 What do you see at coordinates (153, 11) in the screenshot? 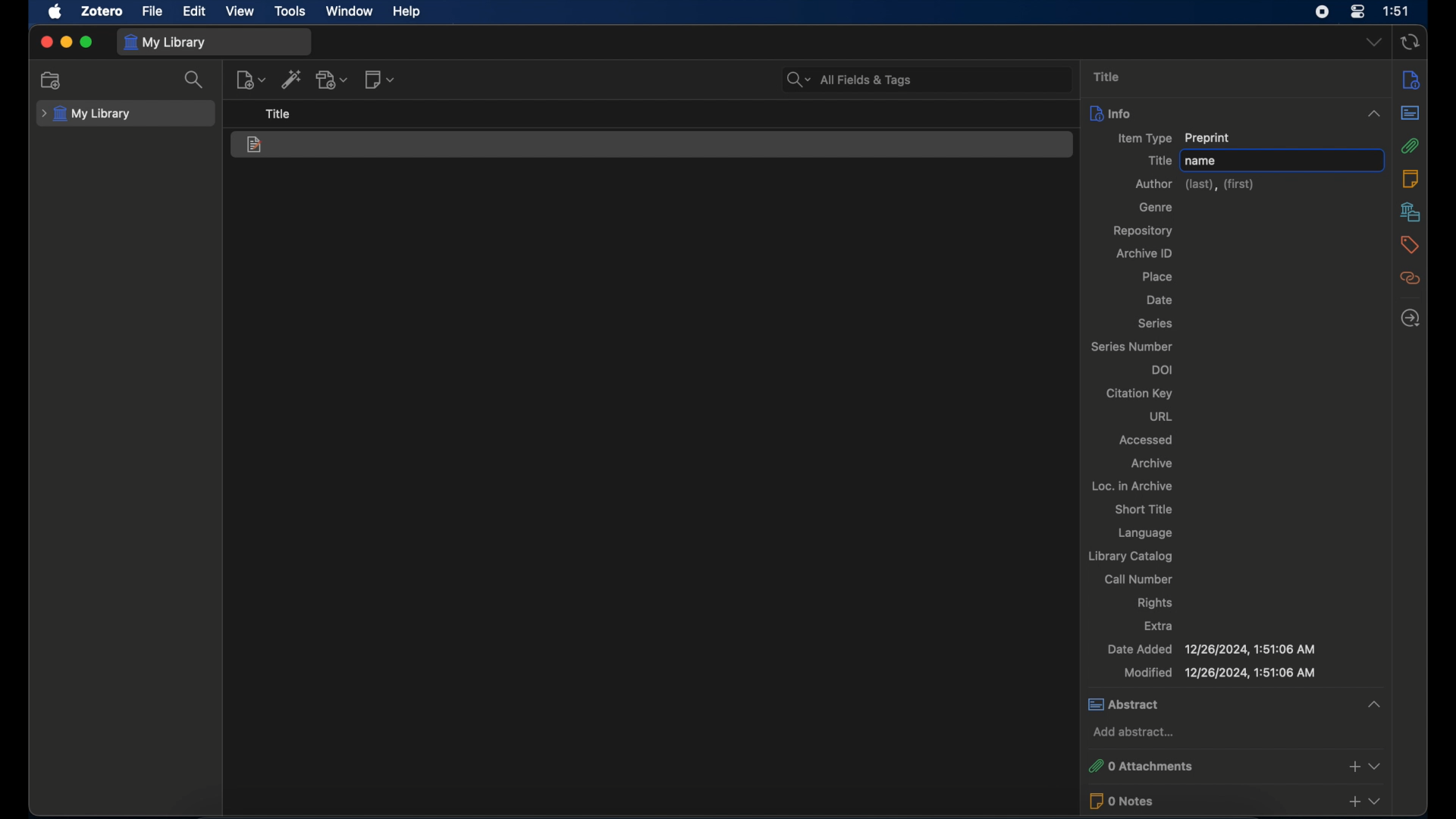
I see `file` at bounding box center [153, 11].